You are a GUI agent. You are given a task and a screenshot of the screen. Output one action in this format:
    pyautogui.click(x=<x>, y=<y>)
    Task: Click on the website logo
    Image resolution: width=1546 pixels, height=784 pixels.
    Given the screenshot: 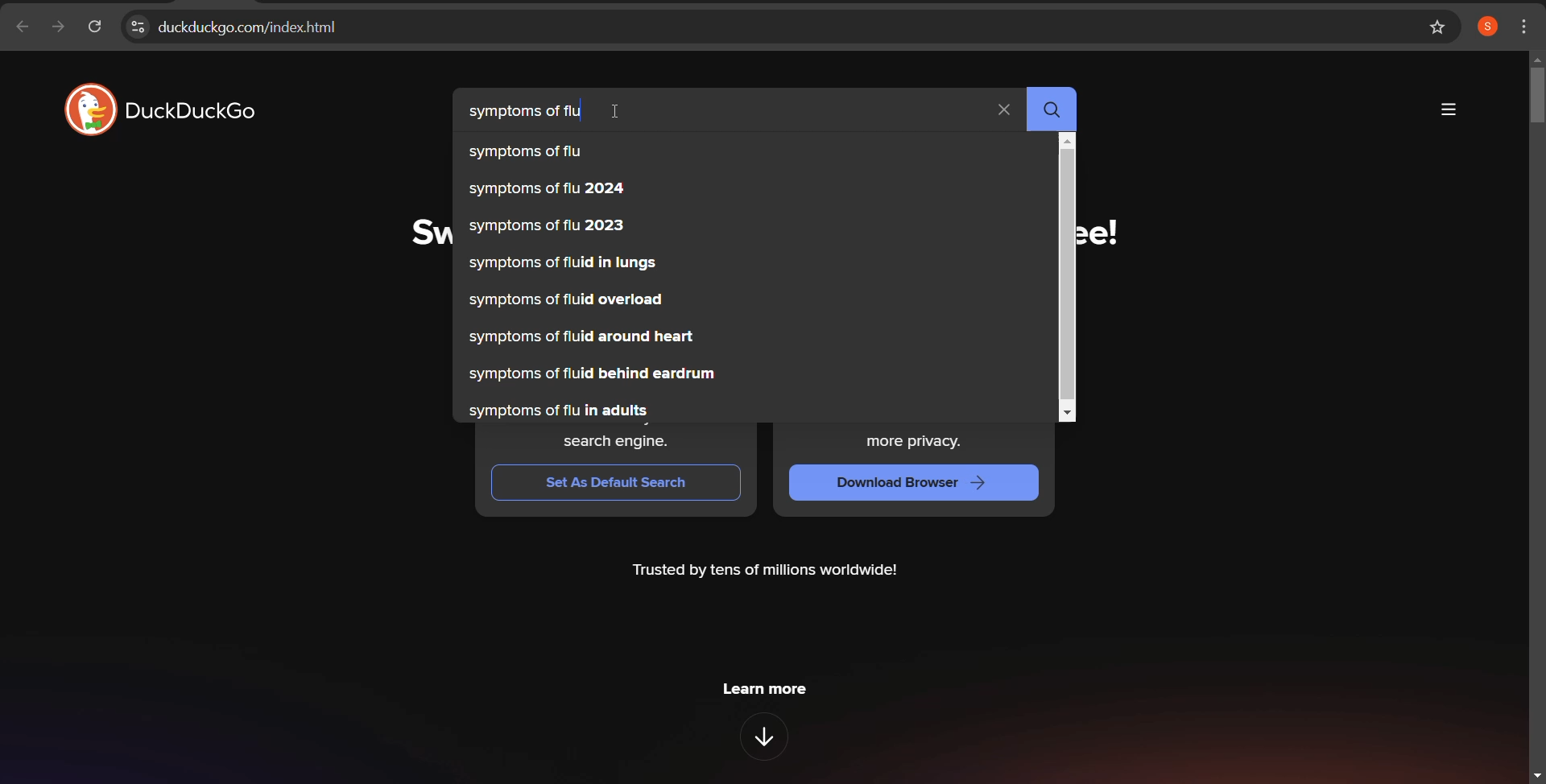 What is the action you would take?
    pyautogui.click(x=166, y=109)
    